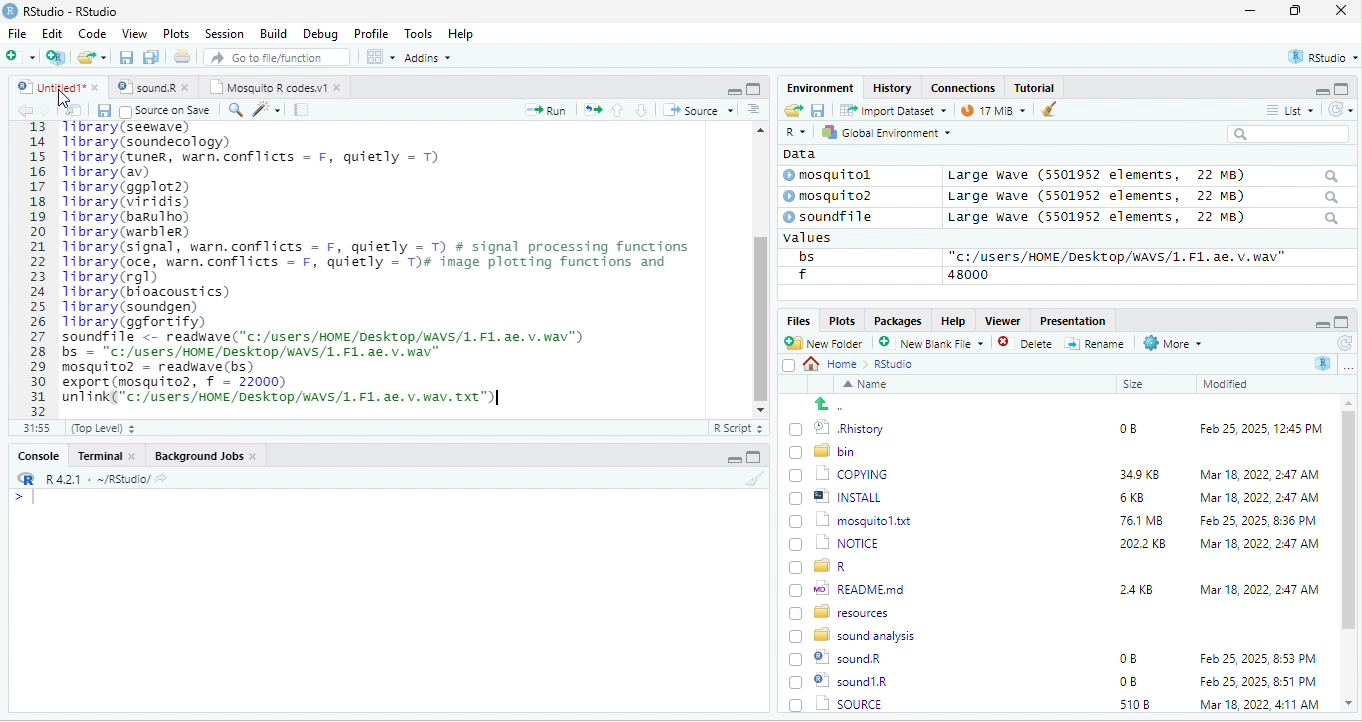 The width and height of the screenshot is (1362, 722). I want to click on values, so click(818, 238).